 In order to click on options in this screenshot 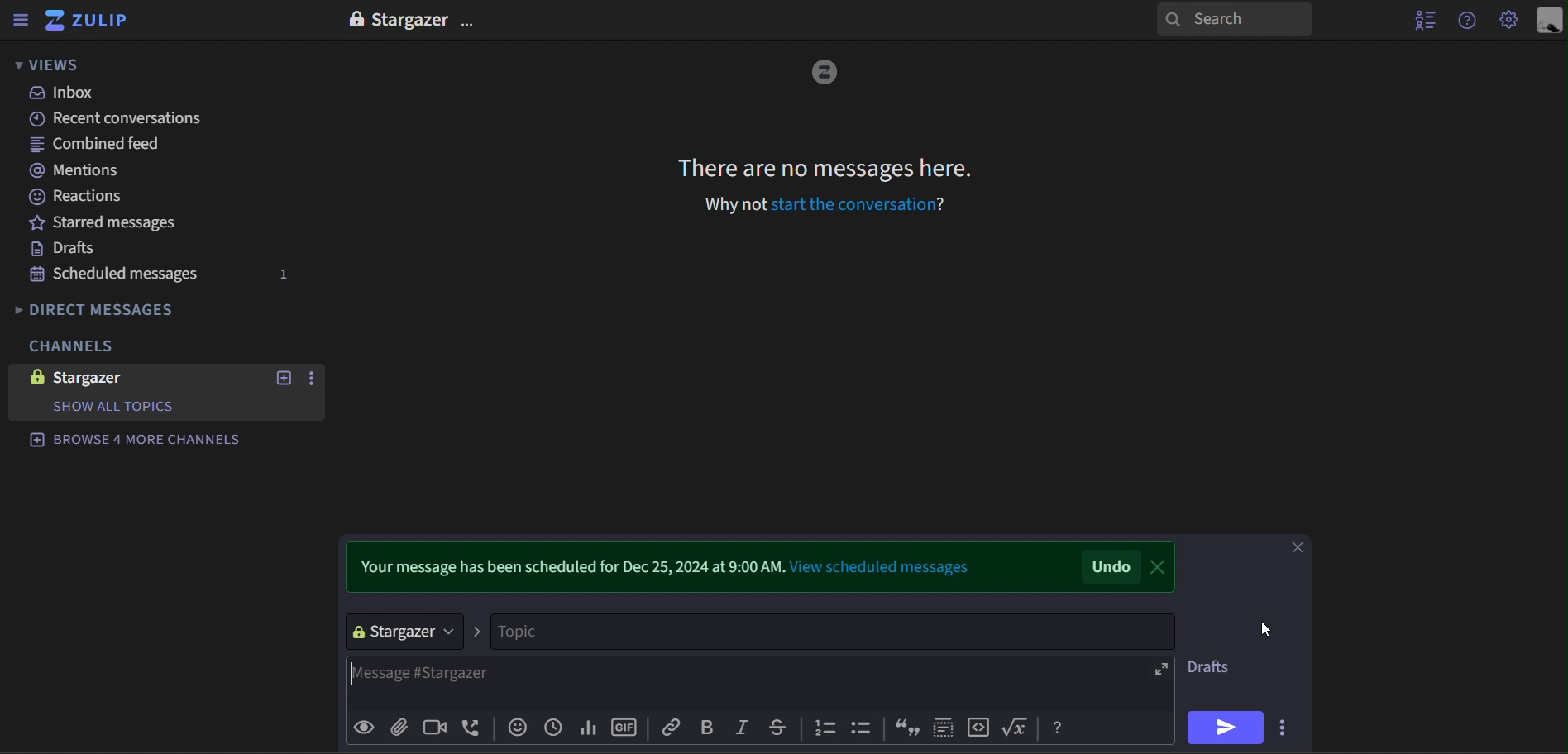, I will do `click(470, 19)`.